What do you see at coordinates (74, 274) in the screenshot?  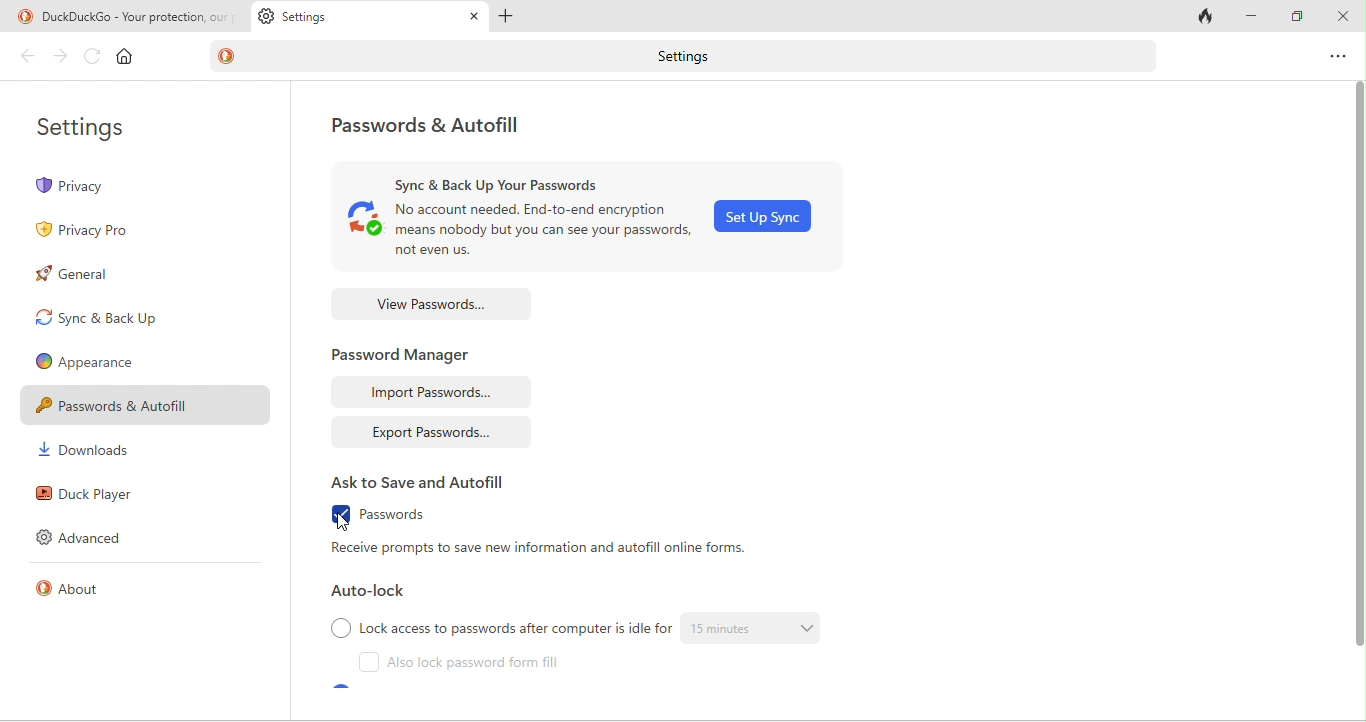 I see `general` at bounding box center [74, 274].